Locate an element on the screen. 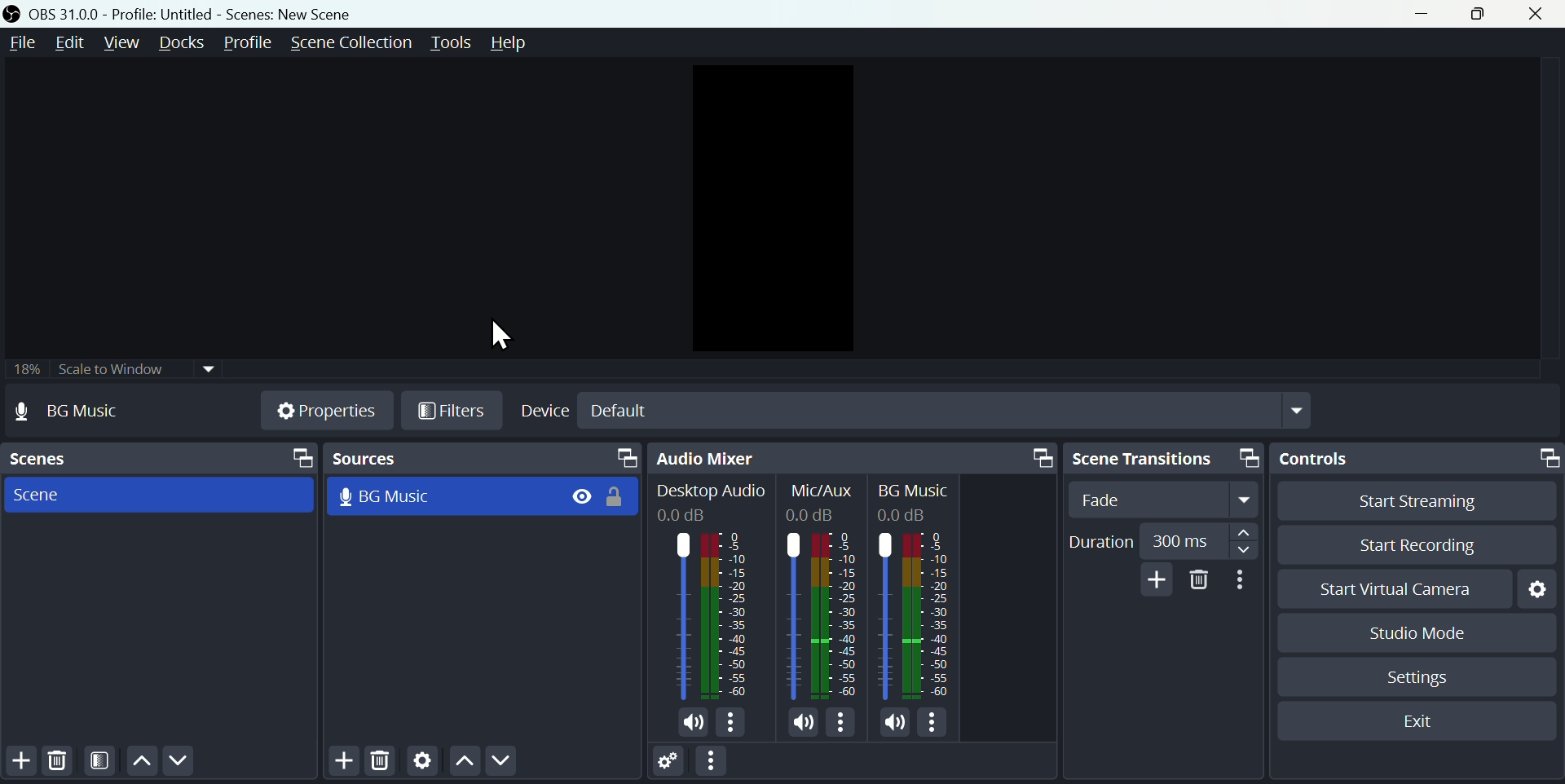   is located at coordinates (911, 489).